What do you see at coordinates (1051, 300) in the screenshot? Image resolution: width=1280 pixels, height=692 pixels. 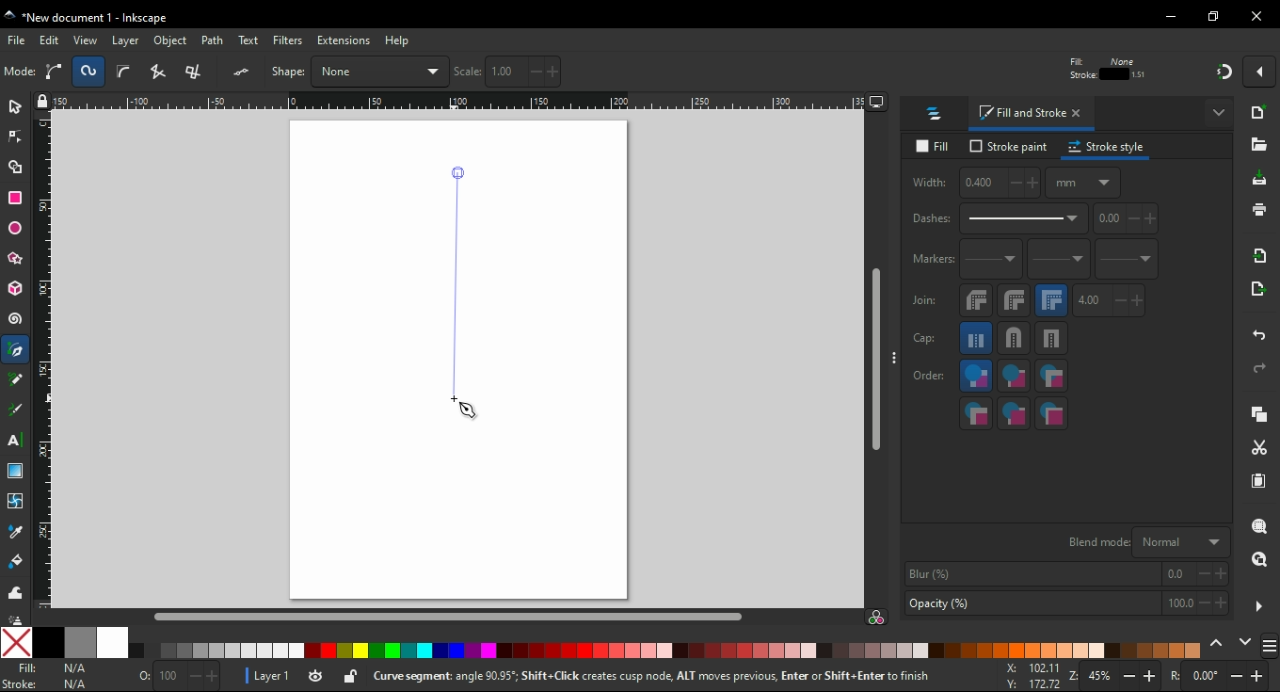 I see `miter` at bounding box center [1051, 300].